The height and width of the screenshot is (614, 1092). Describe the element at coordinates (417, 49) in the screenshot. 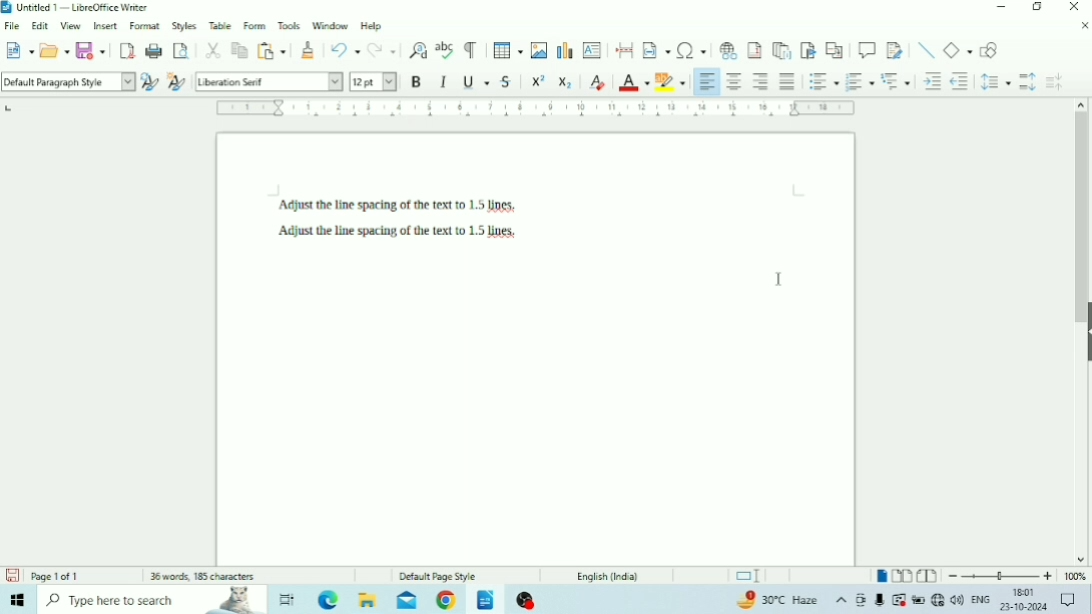

I see `Find and Replace` at that location.